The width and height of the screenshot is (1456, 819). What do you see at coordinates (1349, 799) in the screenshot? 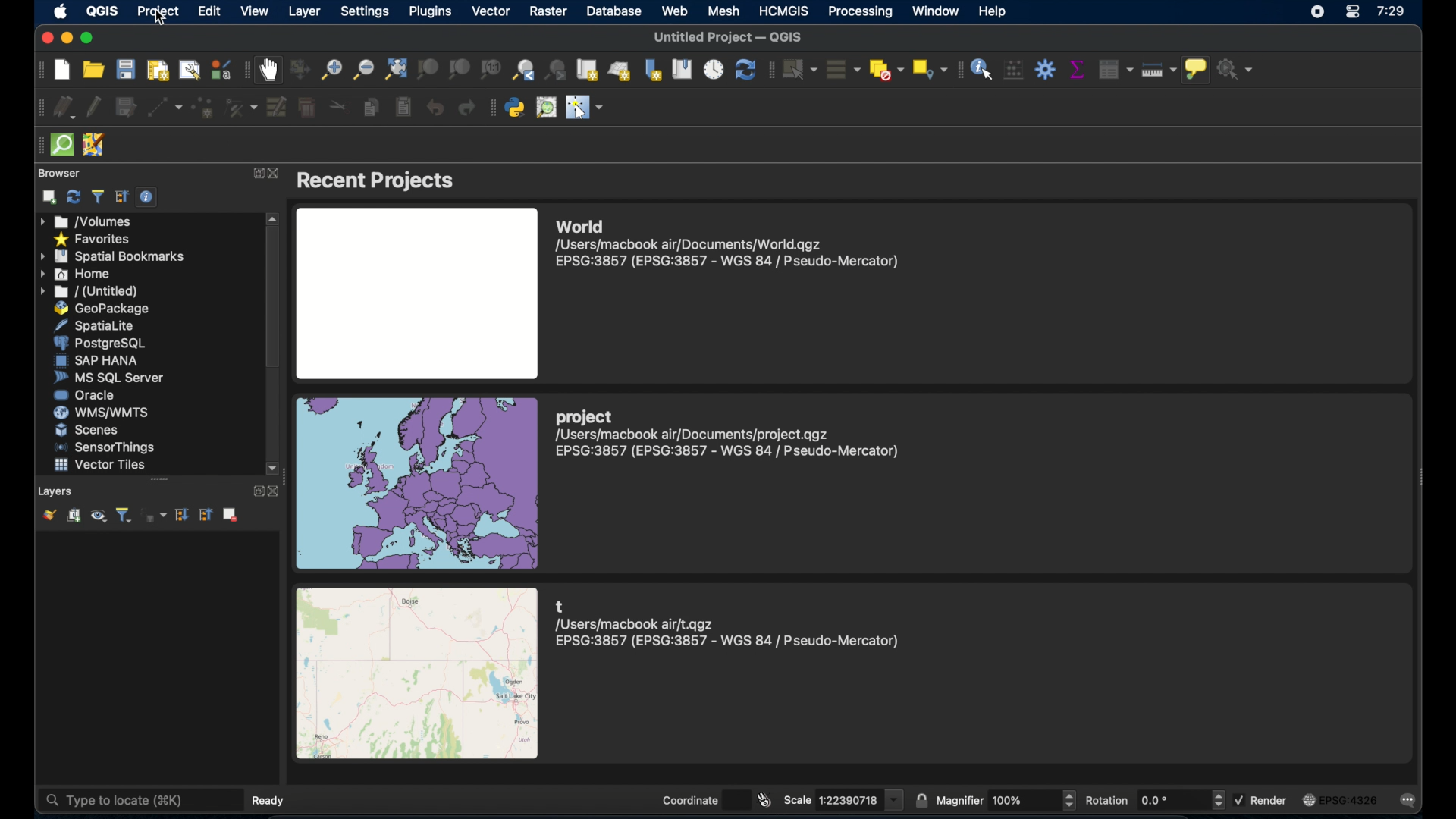
I see `EPSG:4326` at bounding box center [1349, 799].